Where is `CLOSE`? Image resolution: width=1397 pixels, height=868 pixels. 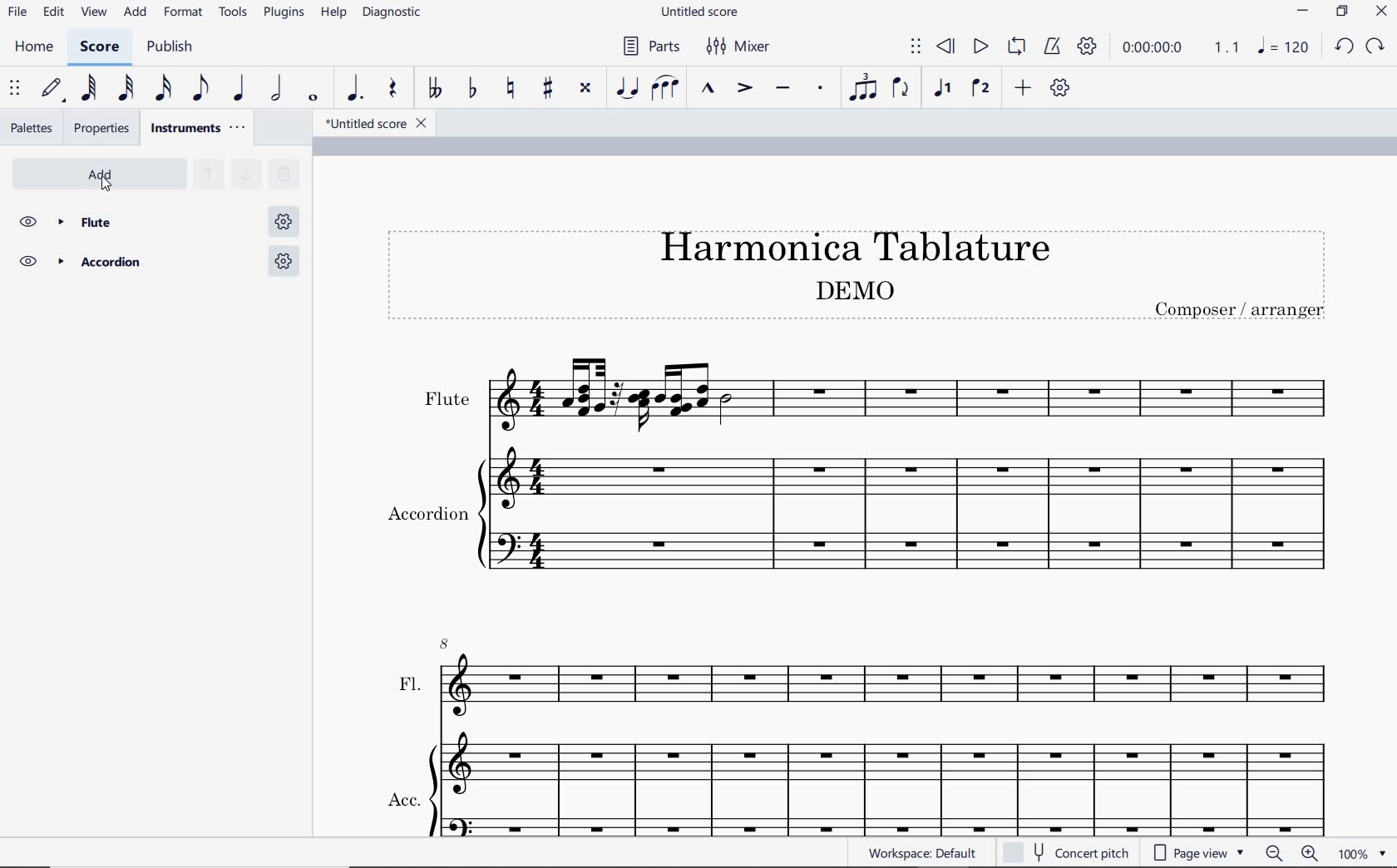 CLOSE is located at coordinates (1380, 11).